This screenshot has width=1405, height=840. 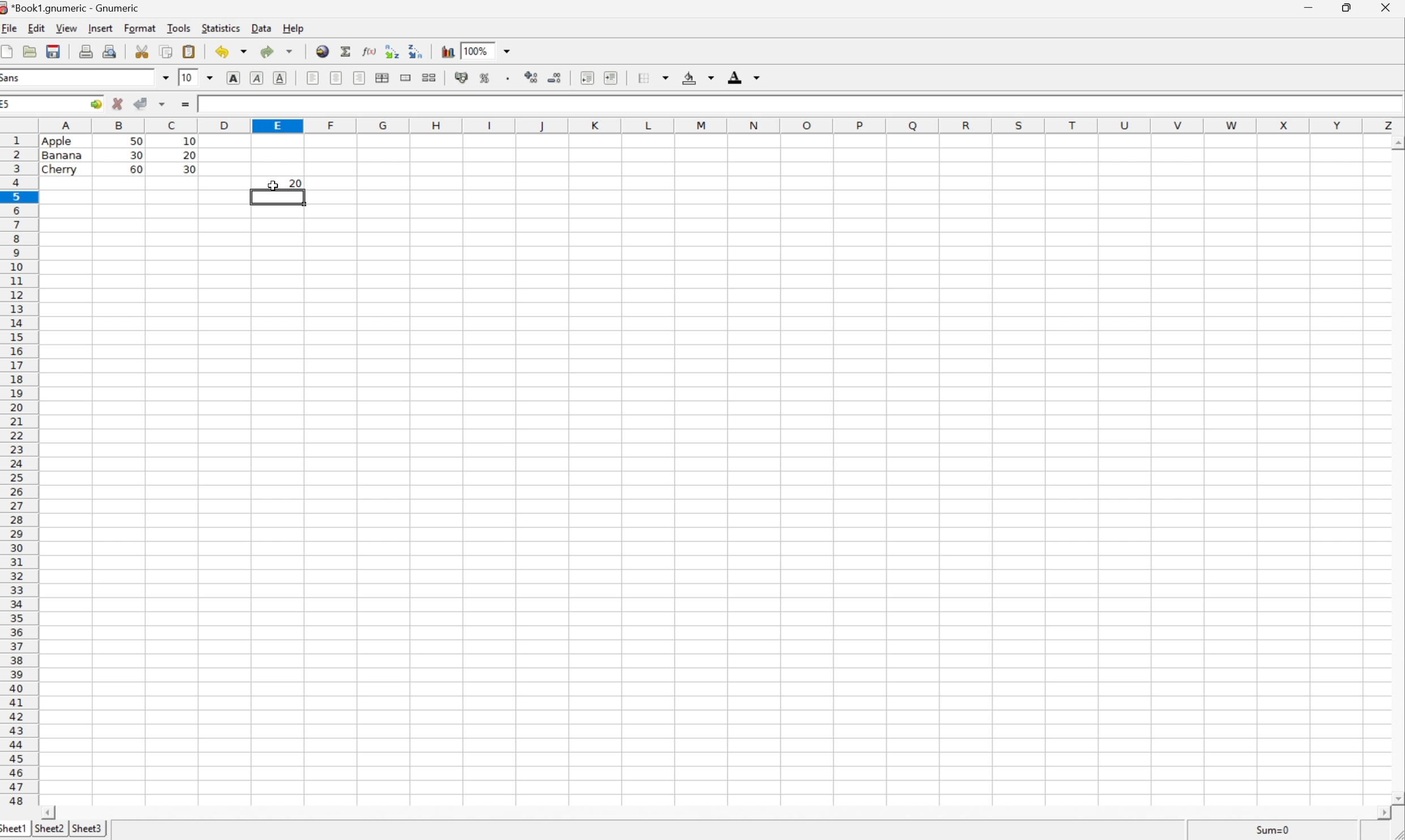 I want to click on data, so click(x=263, y=27).